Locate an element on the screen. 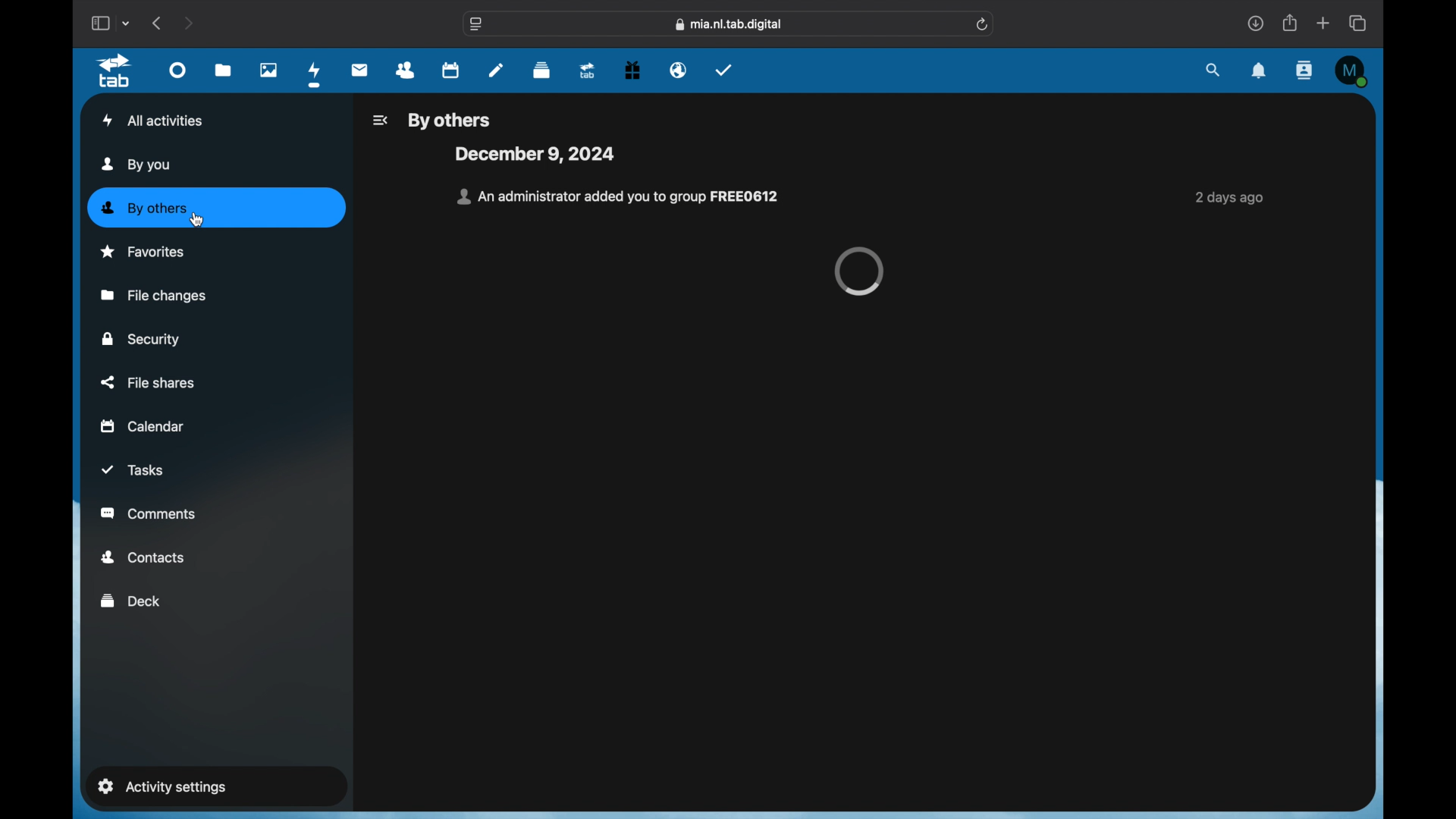 This screenshot has height=819, width=1456. activity settings is located at coordinates (161, 786).